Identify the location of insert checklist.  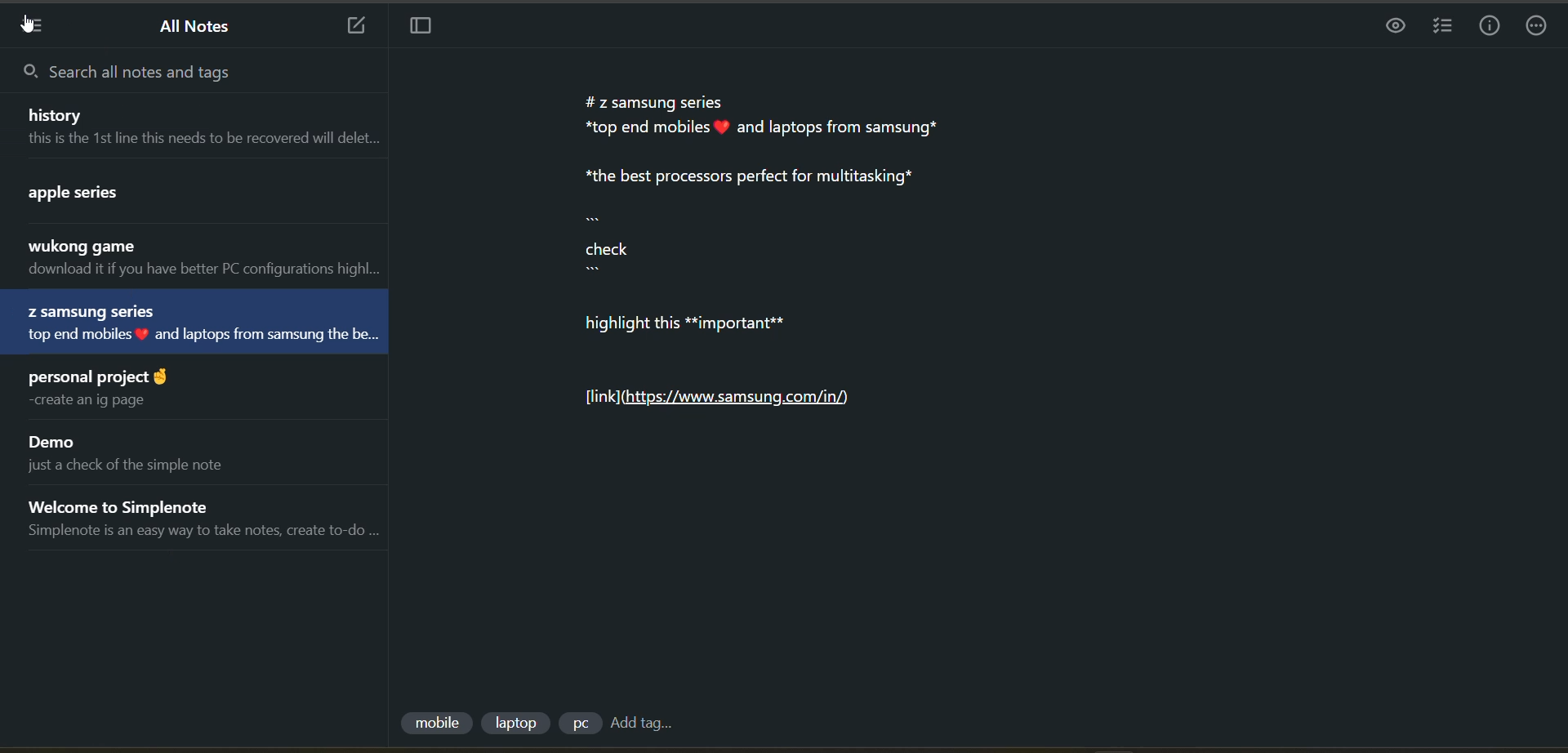
(1445, 28).